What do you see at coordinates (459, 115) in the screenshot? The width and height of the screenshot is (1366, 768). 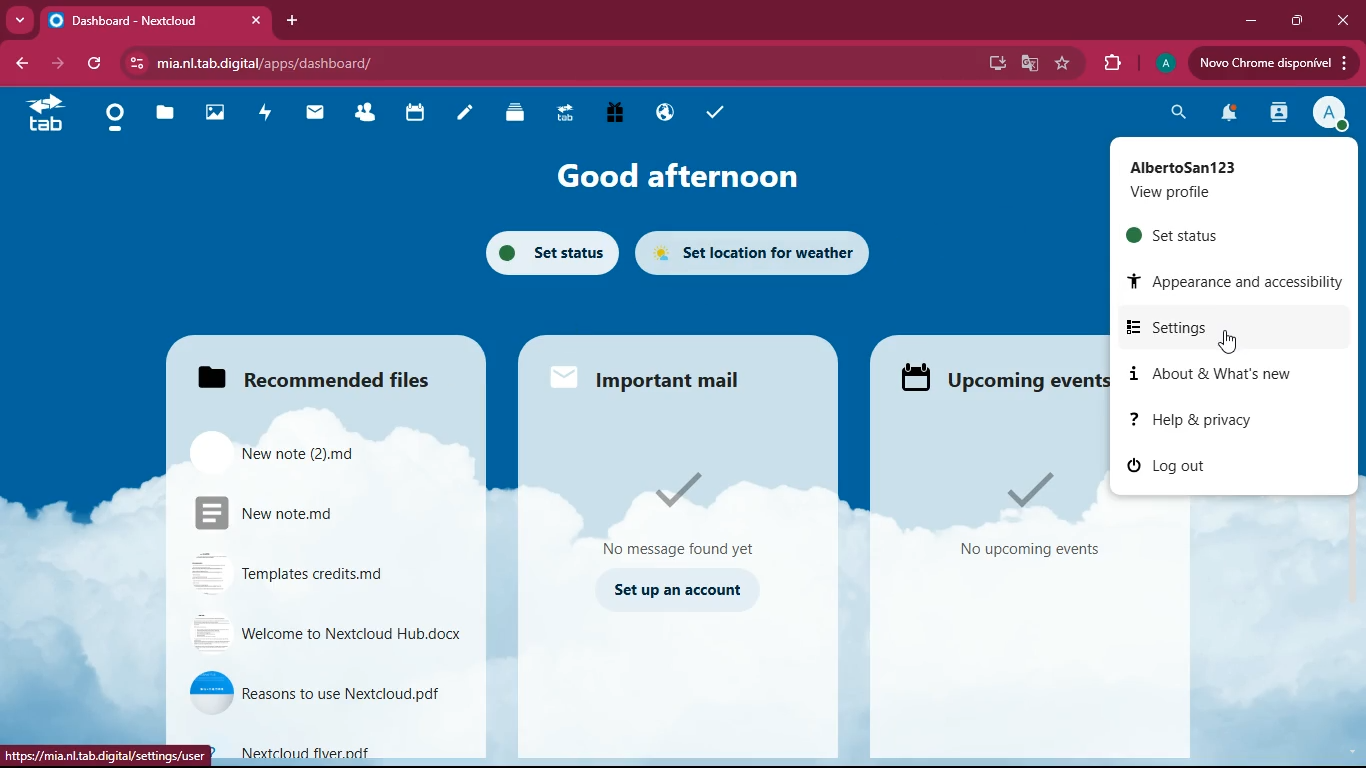 I see `notes` at bounding box center [459, 115].